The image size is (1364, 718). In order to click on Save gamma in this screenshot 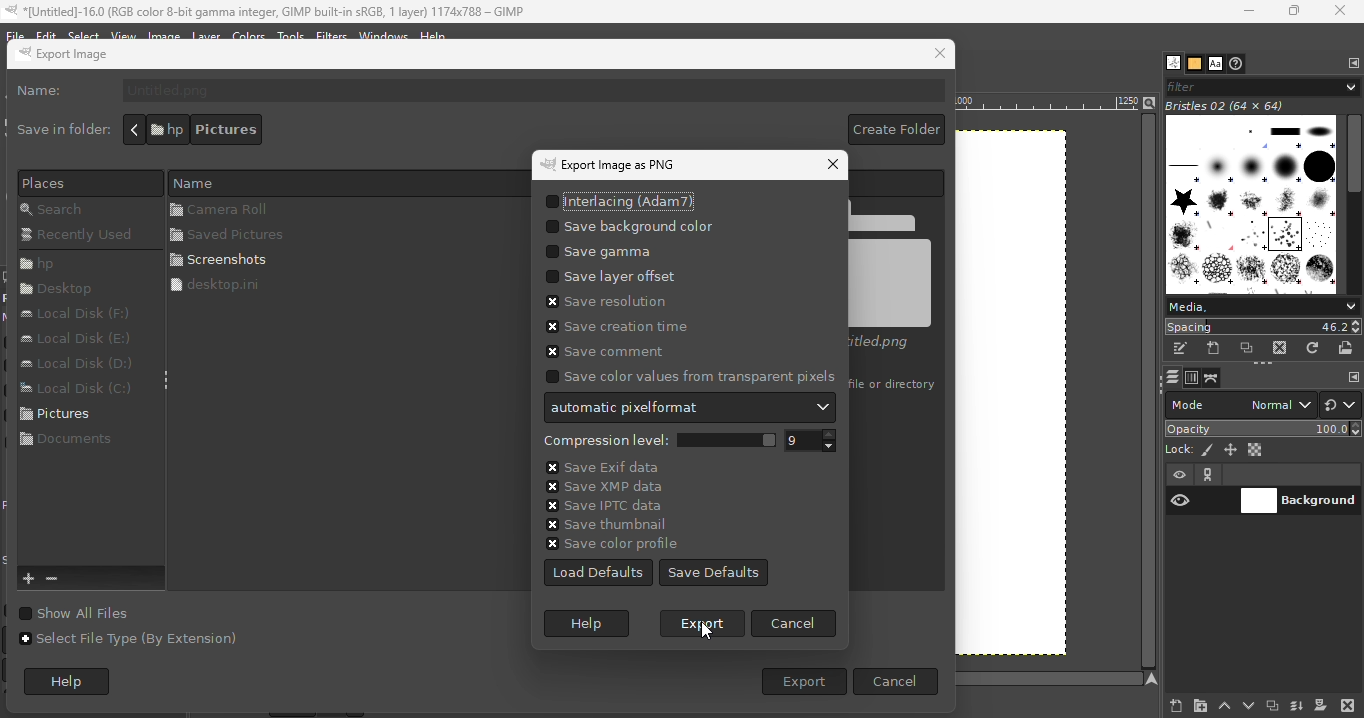, I will do `click(615, 250)`.